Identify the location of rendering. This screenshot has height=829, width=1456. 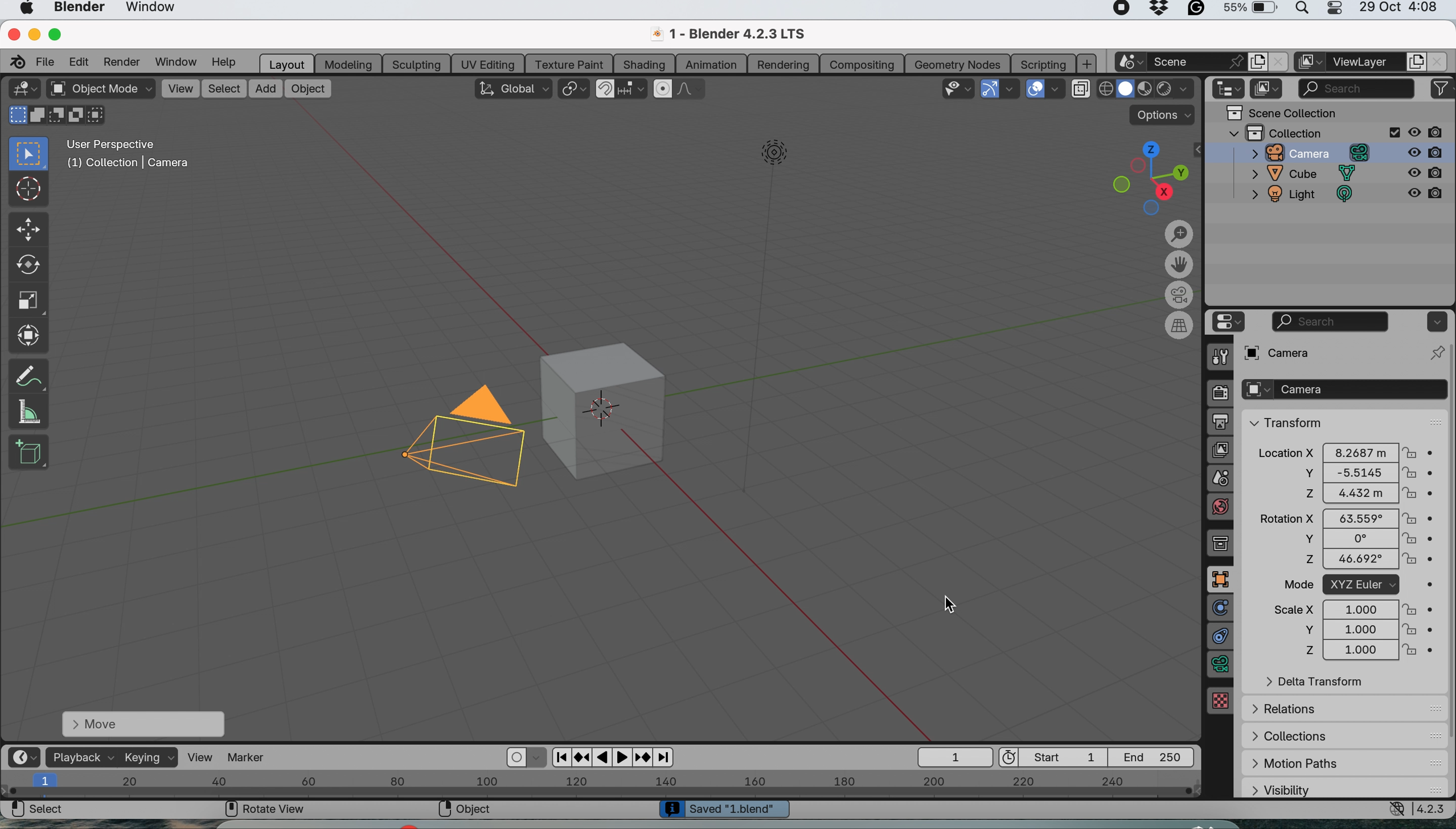
(783, 64).